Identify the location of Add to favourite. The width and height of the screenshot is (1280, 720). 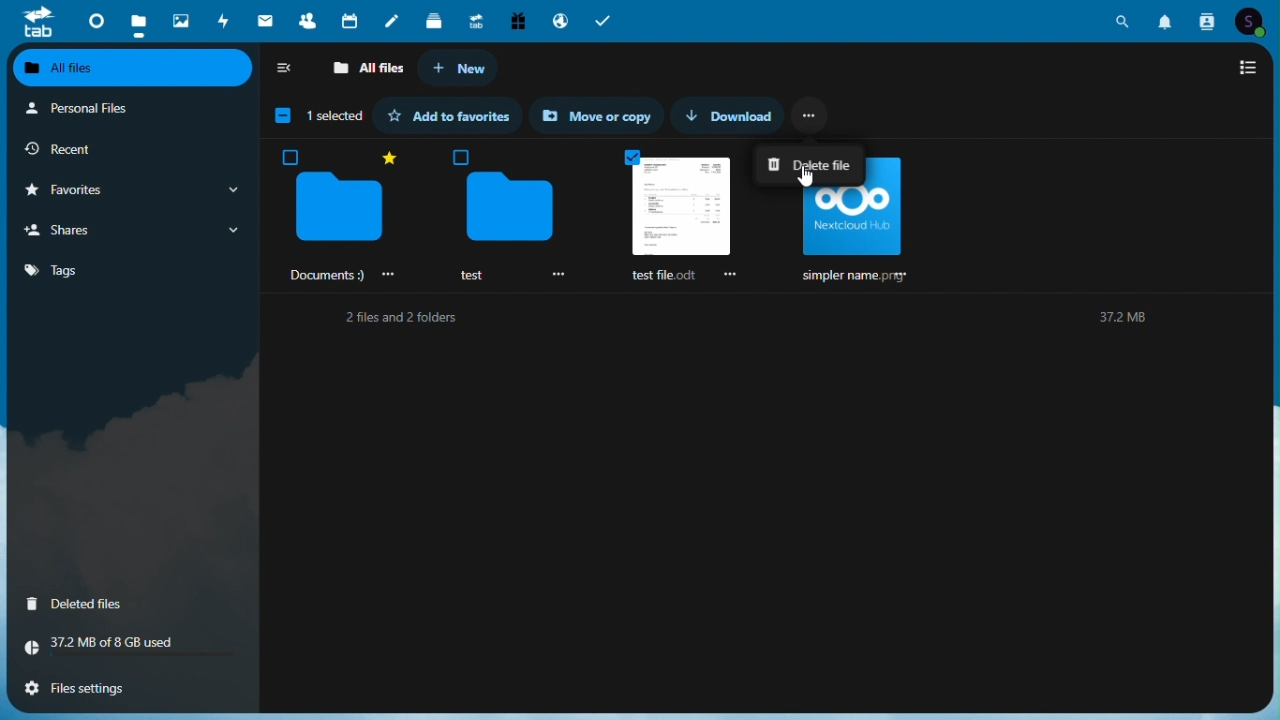
(451, 116).